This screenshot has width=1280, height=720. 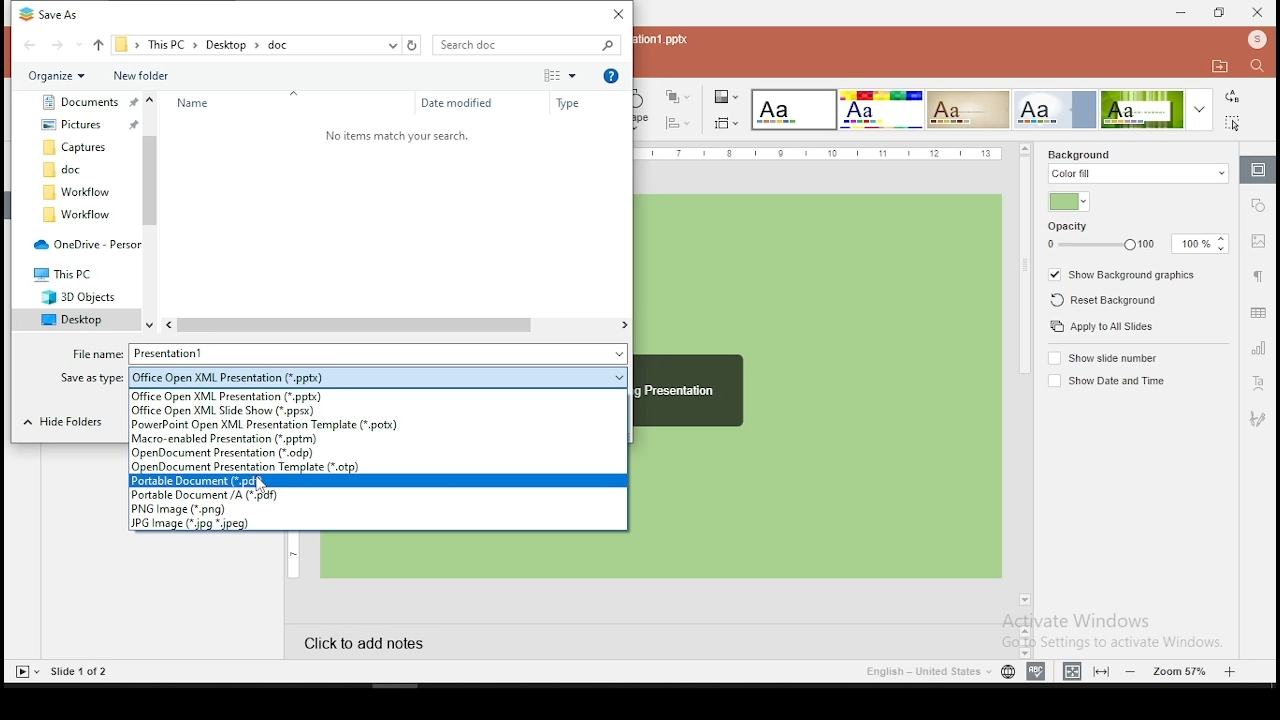 I want to click on go up one folder, so click(x=98, y=45).